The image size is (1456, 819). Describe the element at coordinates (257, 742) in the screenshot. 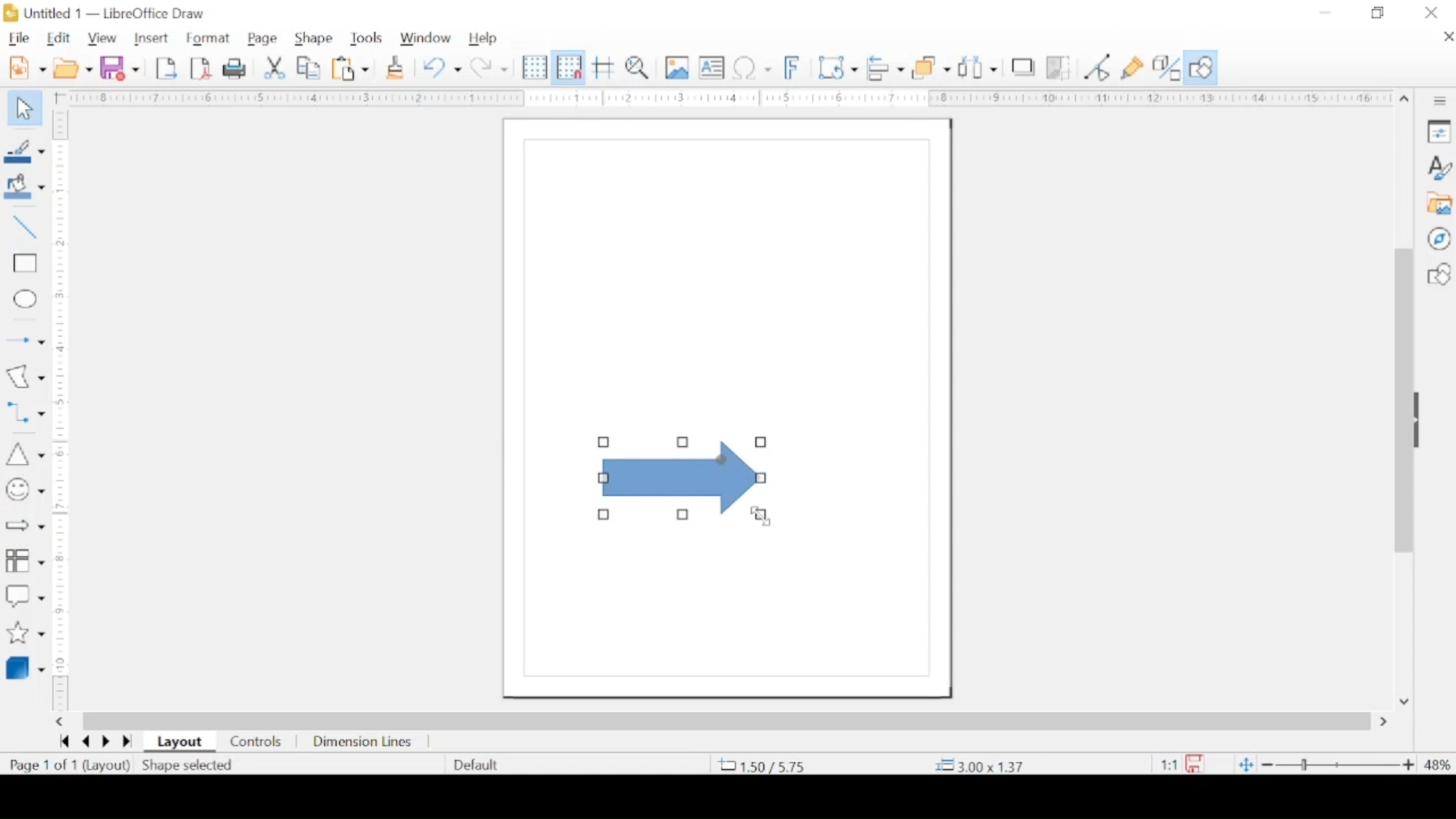

I see `controls` at that location.